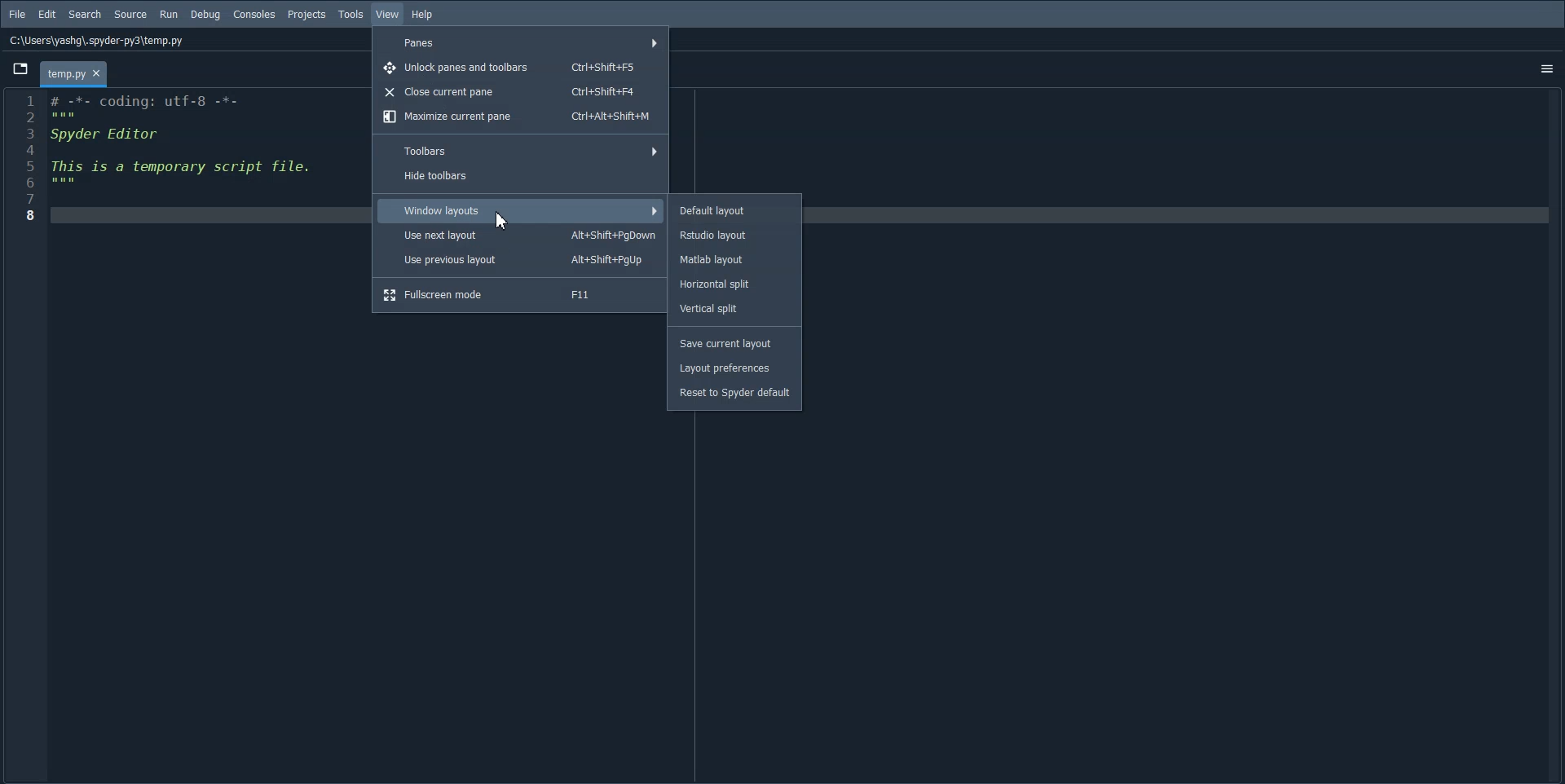 The image size is (1565, 784). Describe the element at coordinates (522, 176) in the screenshot. I see `Hide toolbars` at that location.